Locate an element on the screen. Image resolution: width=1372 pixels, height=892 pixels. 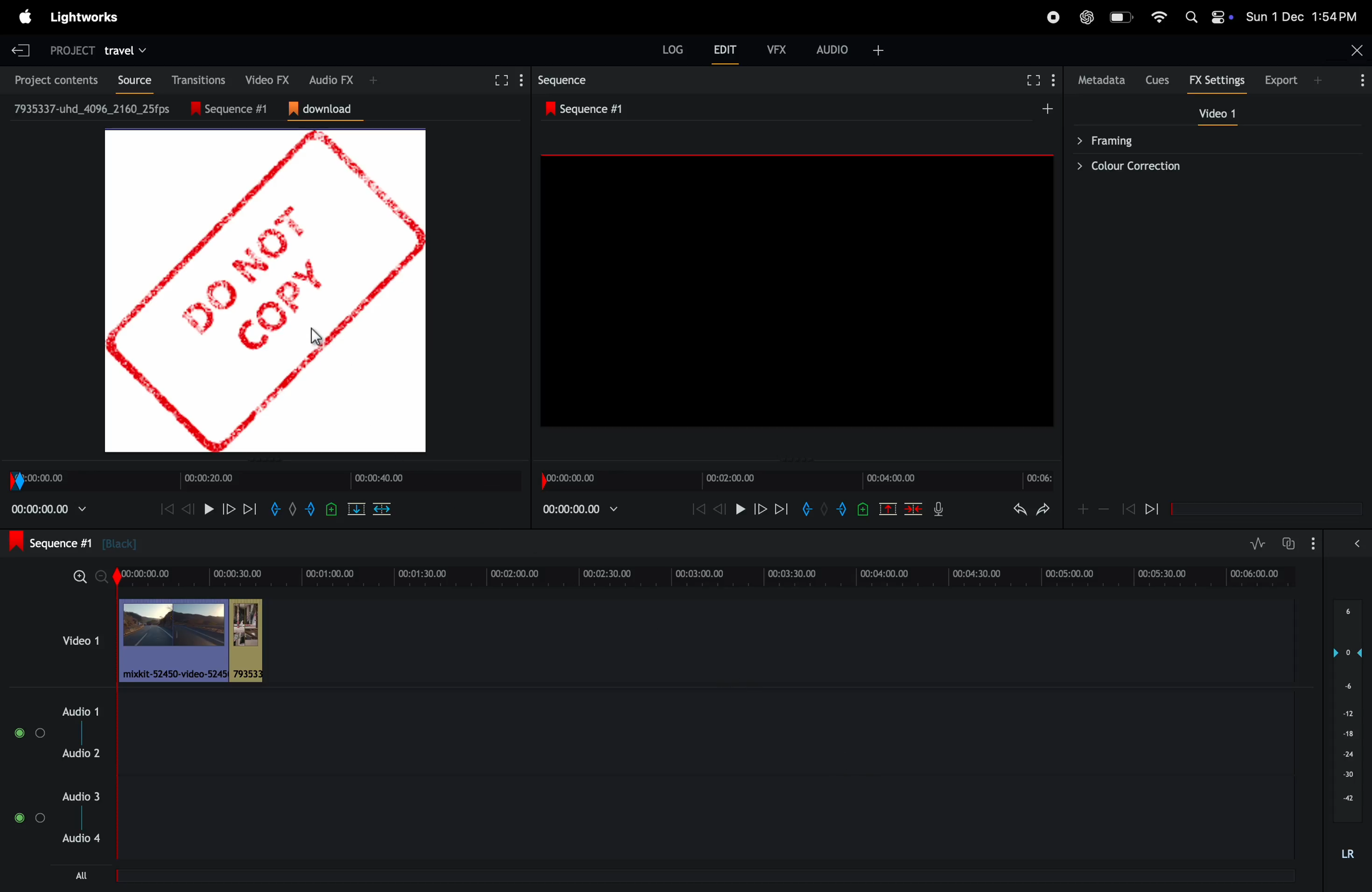
date and time is located at coordinates (1301, 16).